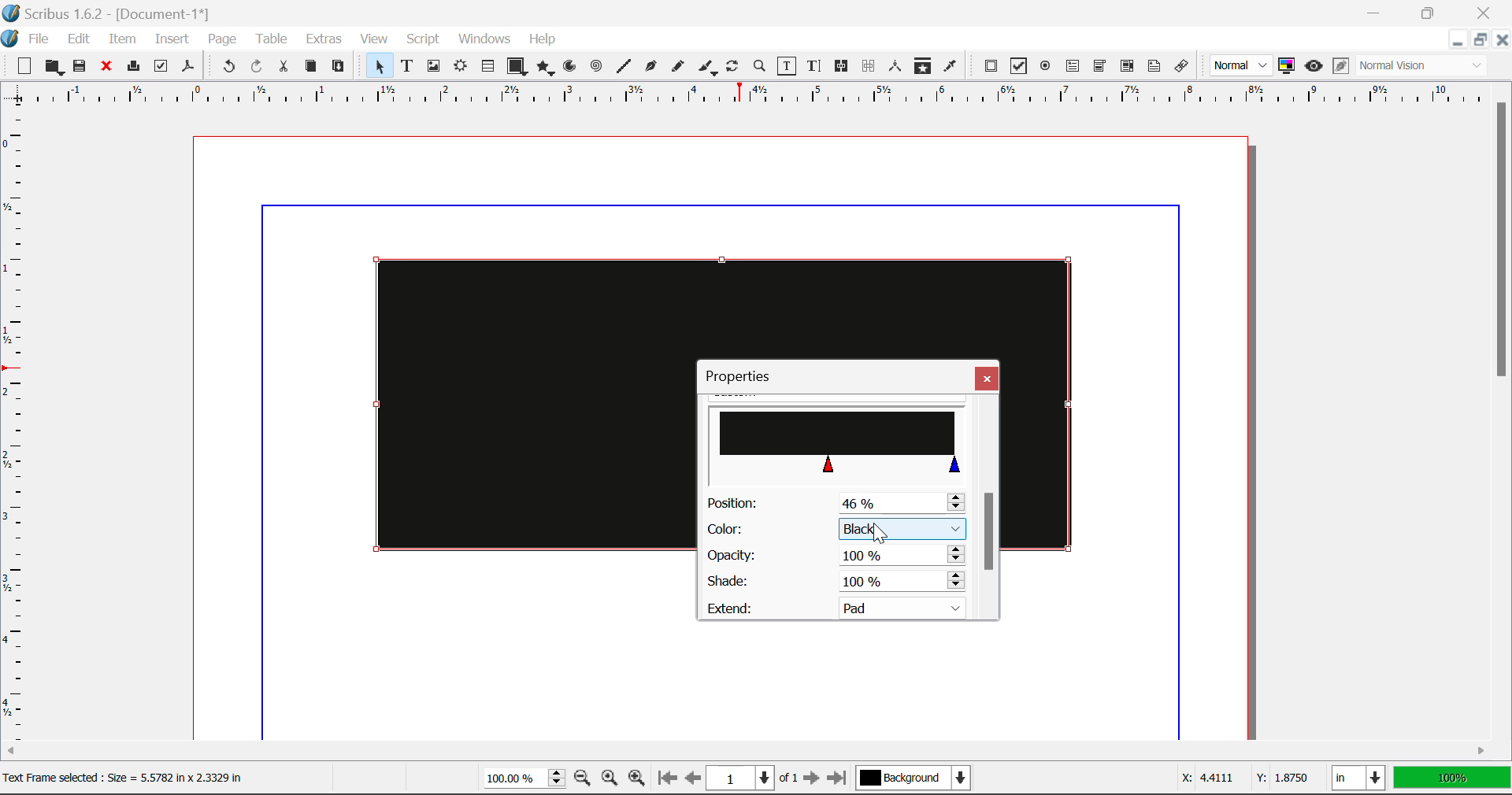  Describe the element at coordinates (170, 42) in the screenshot. I see `Insert` at that location.